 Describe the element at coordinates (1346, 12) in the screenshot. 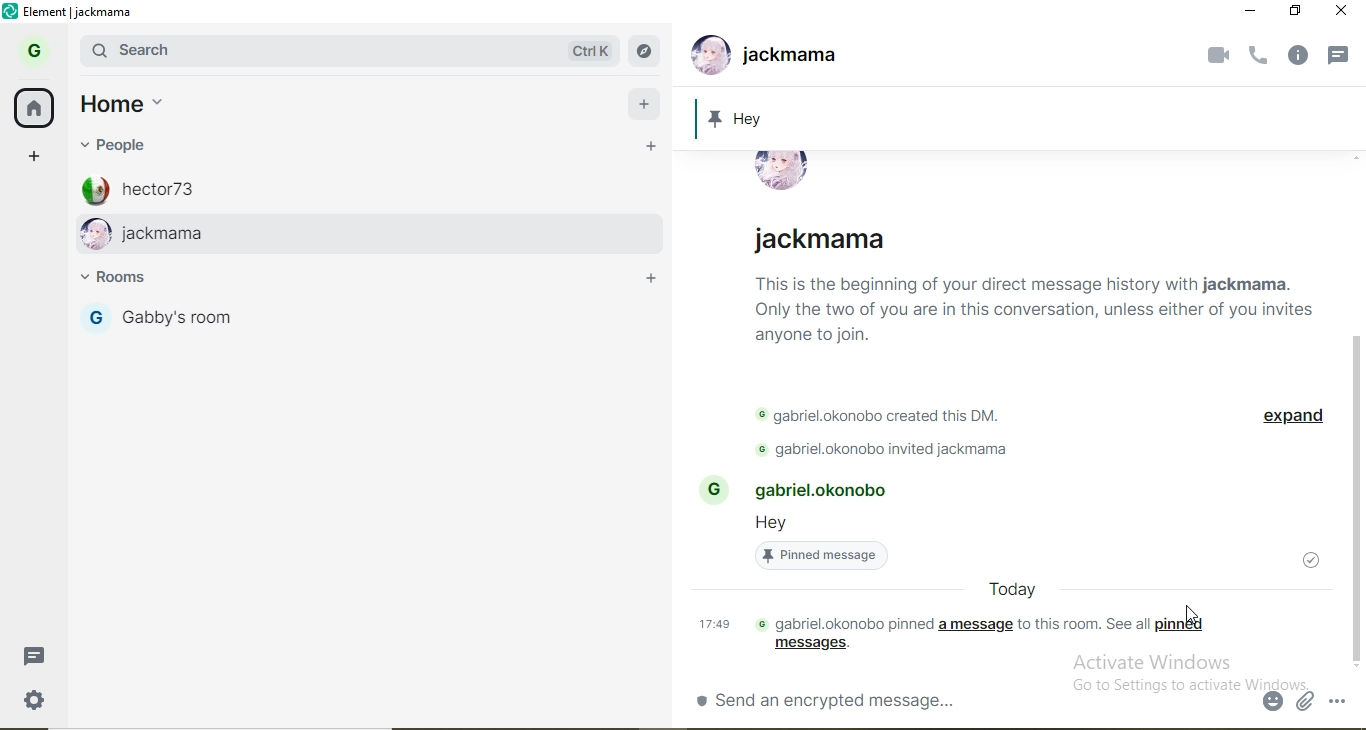

I see `` at that location.